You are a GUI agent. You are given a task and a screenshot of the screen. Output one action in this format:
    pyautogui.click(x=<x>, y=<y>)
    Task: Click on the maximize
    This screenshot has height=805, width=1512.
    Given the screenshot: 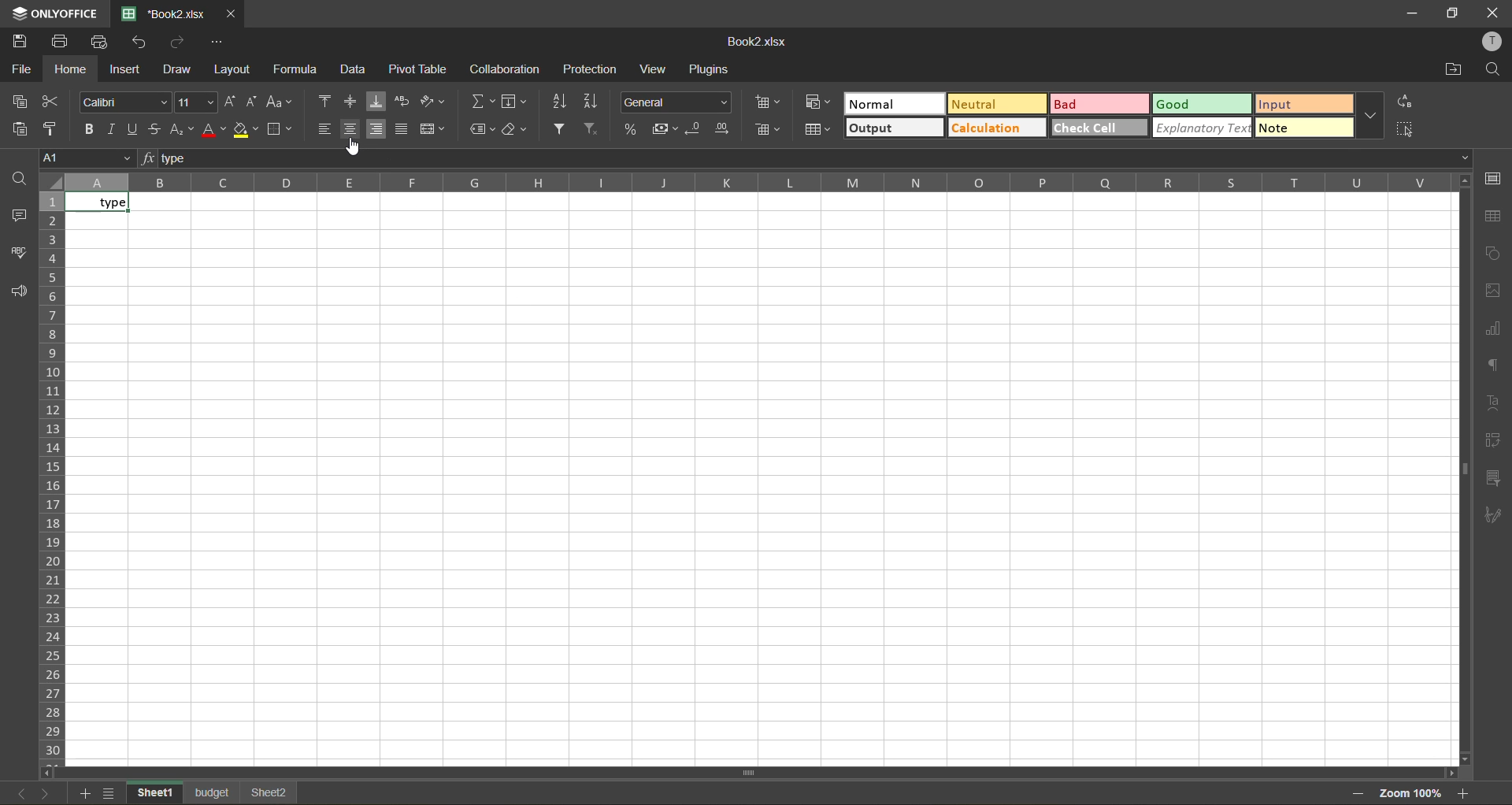 What is the action you would take?
    pyautogui.click(x=1451, y=13)
    